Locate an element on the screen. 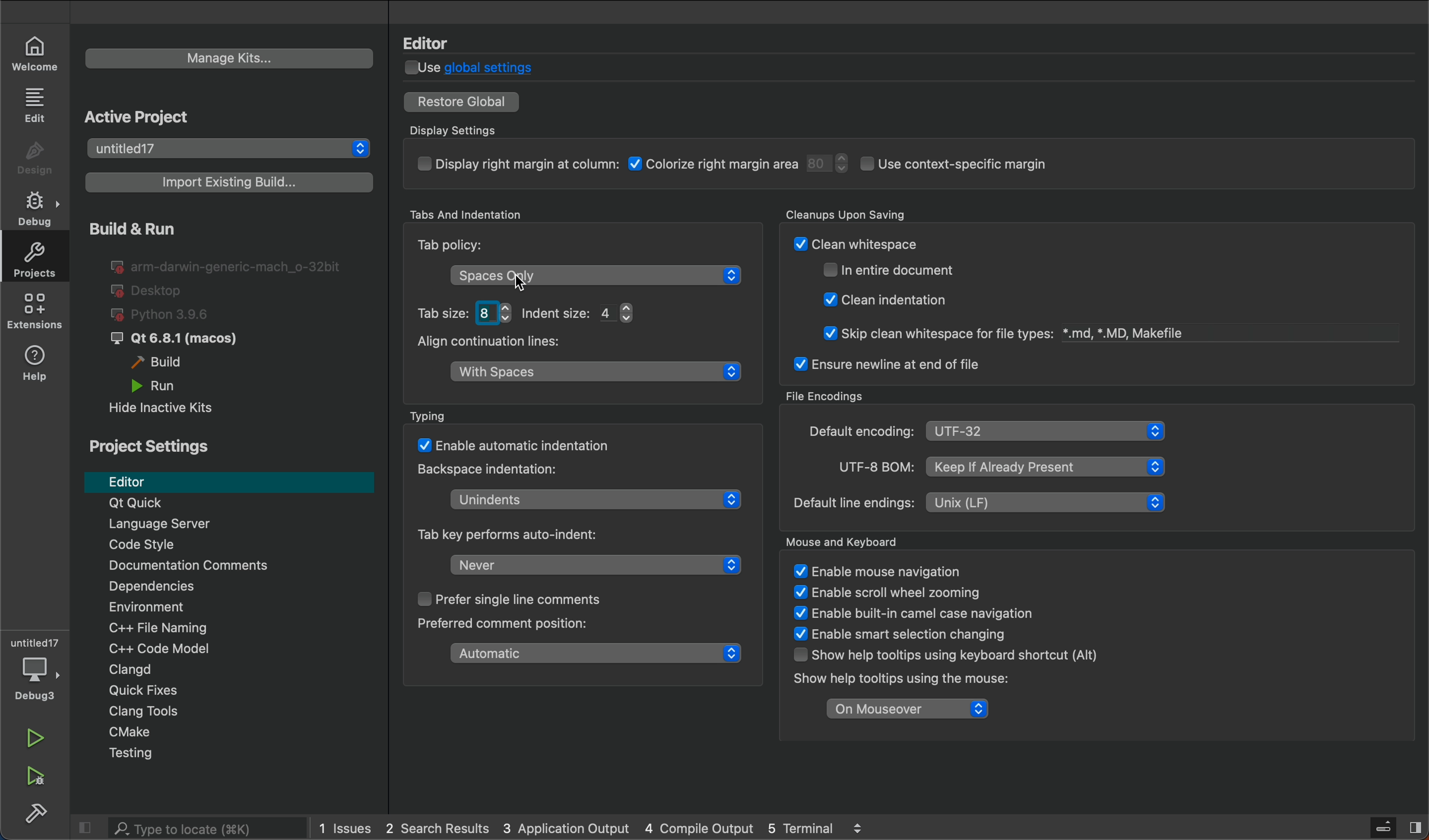 The height and width of the screenshot is (840, 1429). I@ arm-darwin-generic-mach_o-32bit is located at coordinates (229, 266).